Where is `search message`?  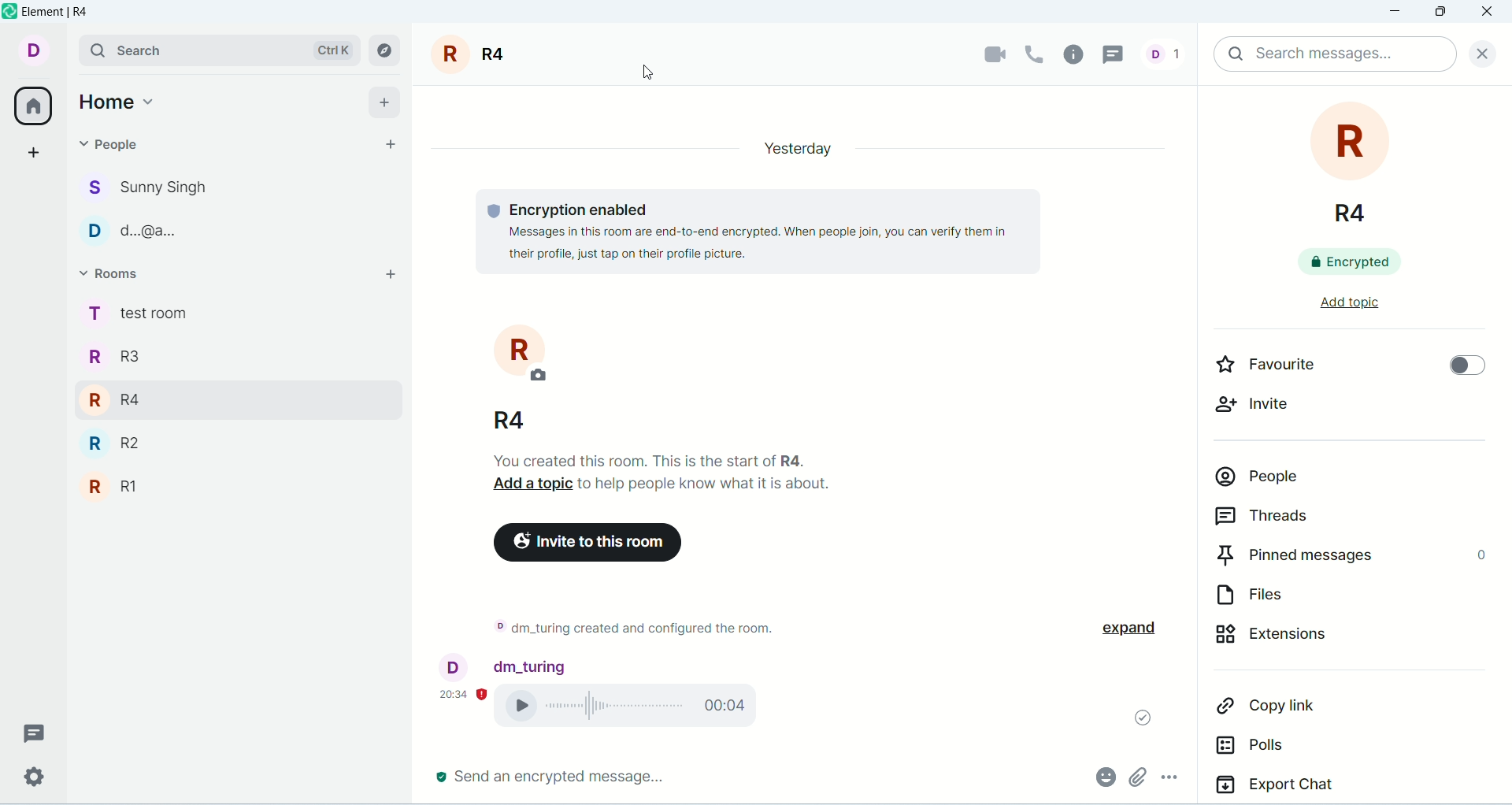
search message is located at coordinates (1334, 54).